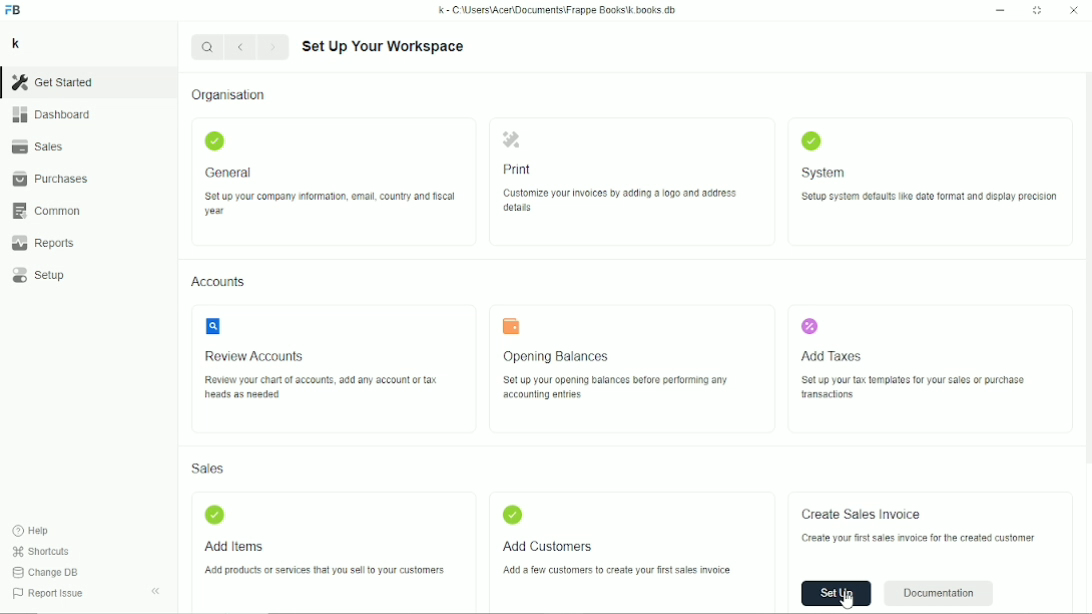 The height and width of the screenshot is (614, 1092). I want to click on Set up your workspace, so click(383, 47).